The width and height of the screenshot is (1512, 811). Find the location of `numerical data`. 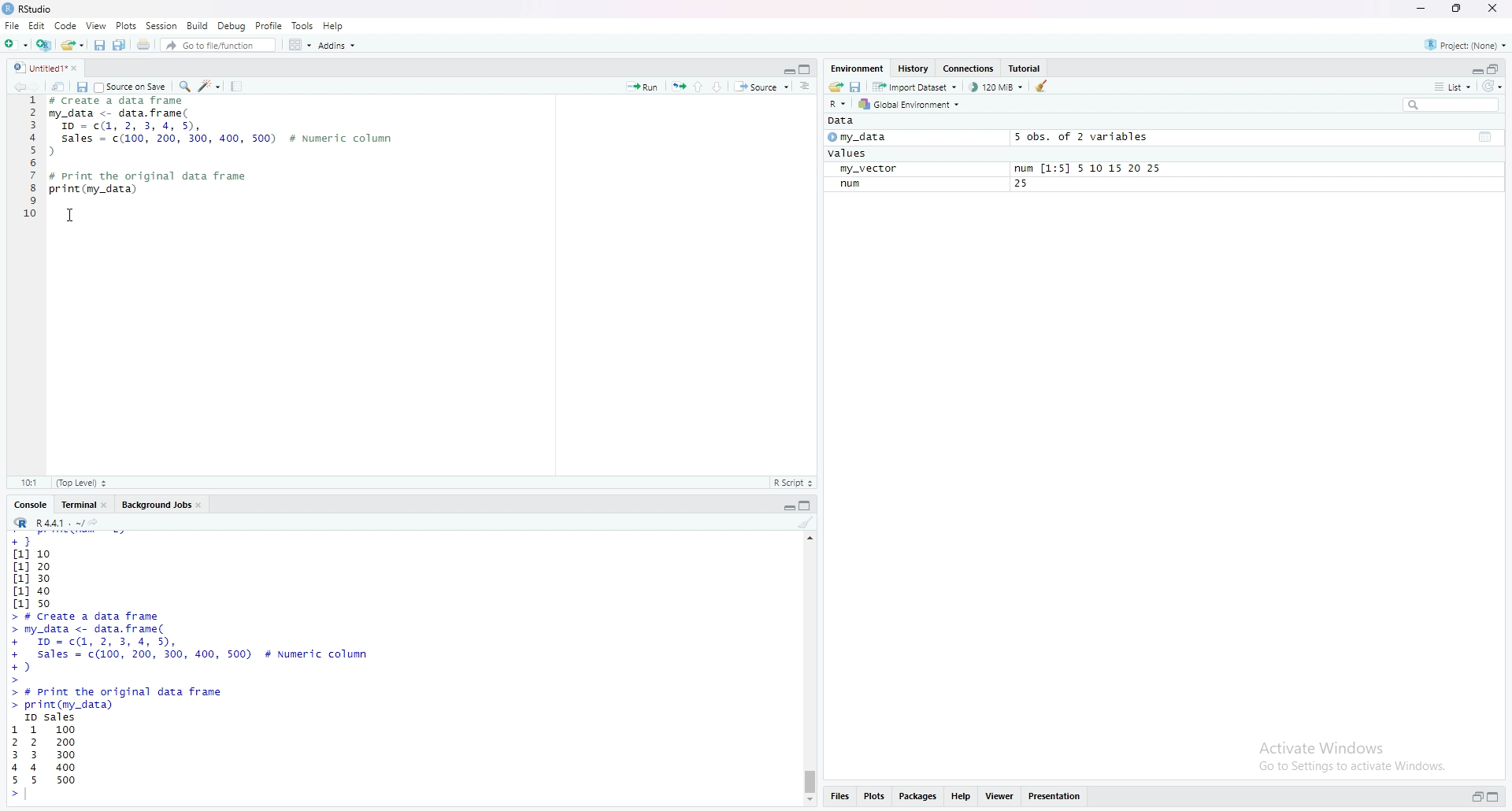

numerical data is located at coordinates (38, 571).